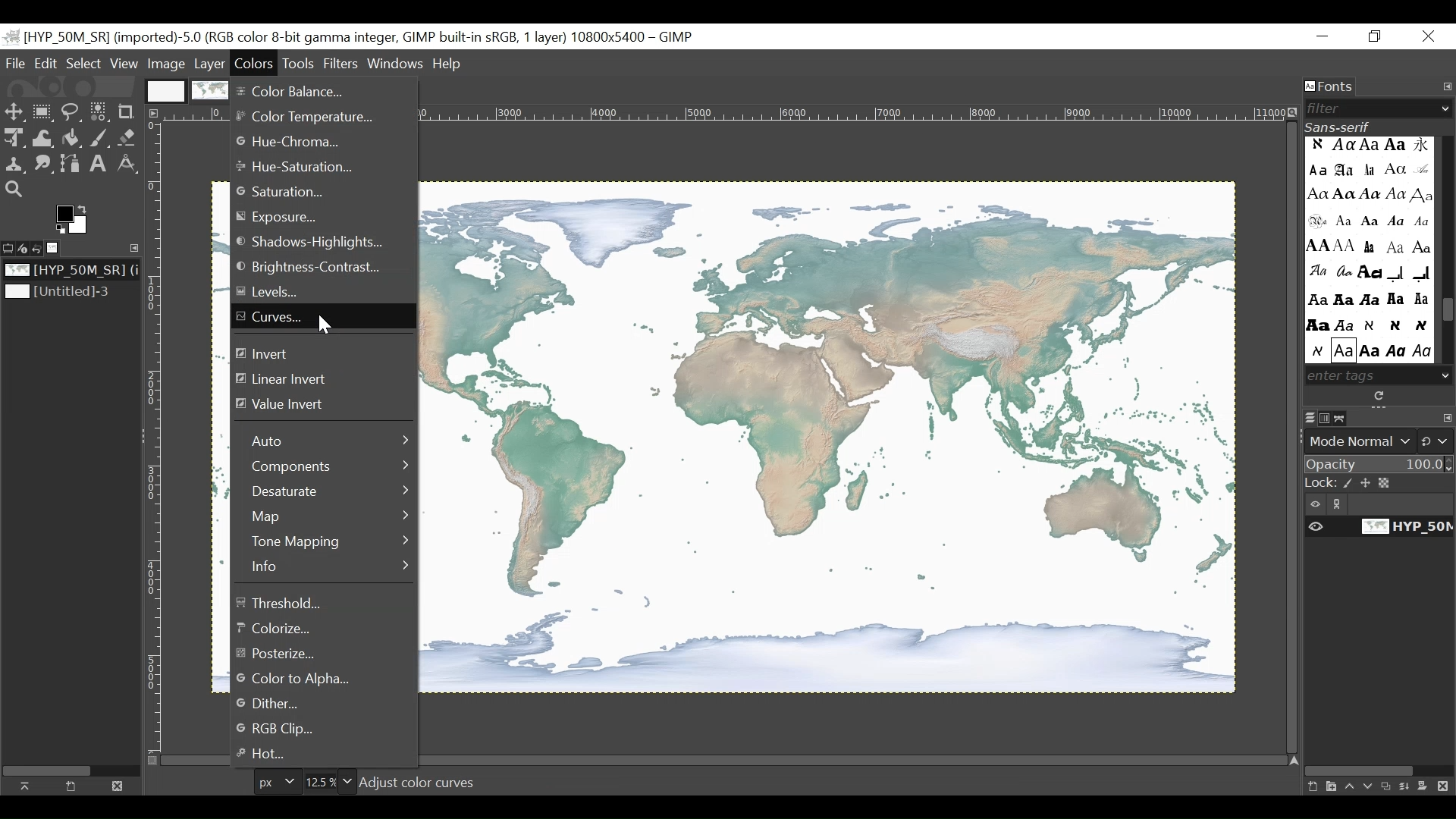  What do you see at coordinates (284, 708) in the screenshot?
I see `Dither` at bounding box center [284, 708].